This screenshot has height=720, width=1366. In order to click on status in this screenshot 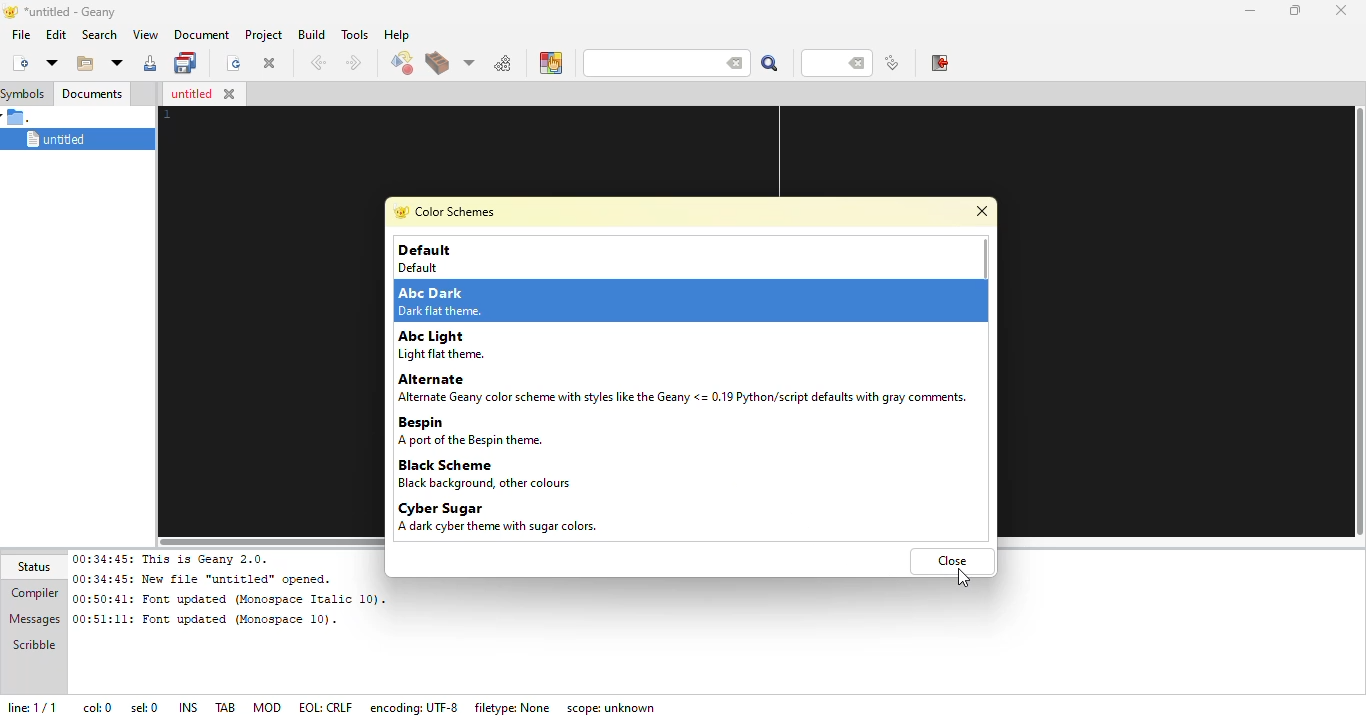, I will do `click(38, 567)`.